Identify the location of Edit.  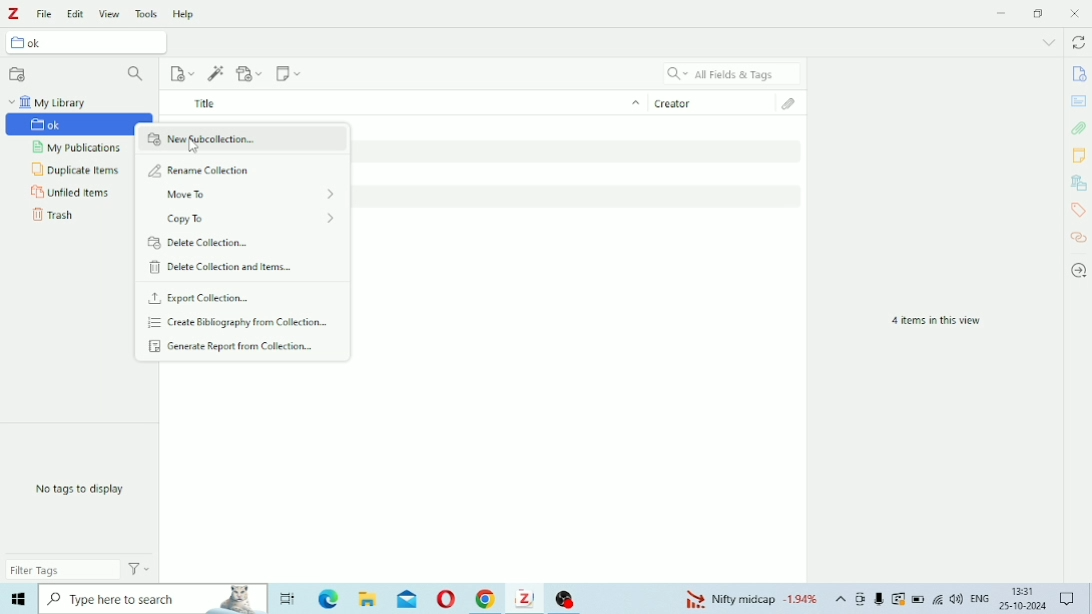
(74, 14).